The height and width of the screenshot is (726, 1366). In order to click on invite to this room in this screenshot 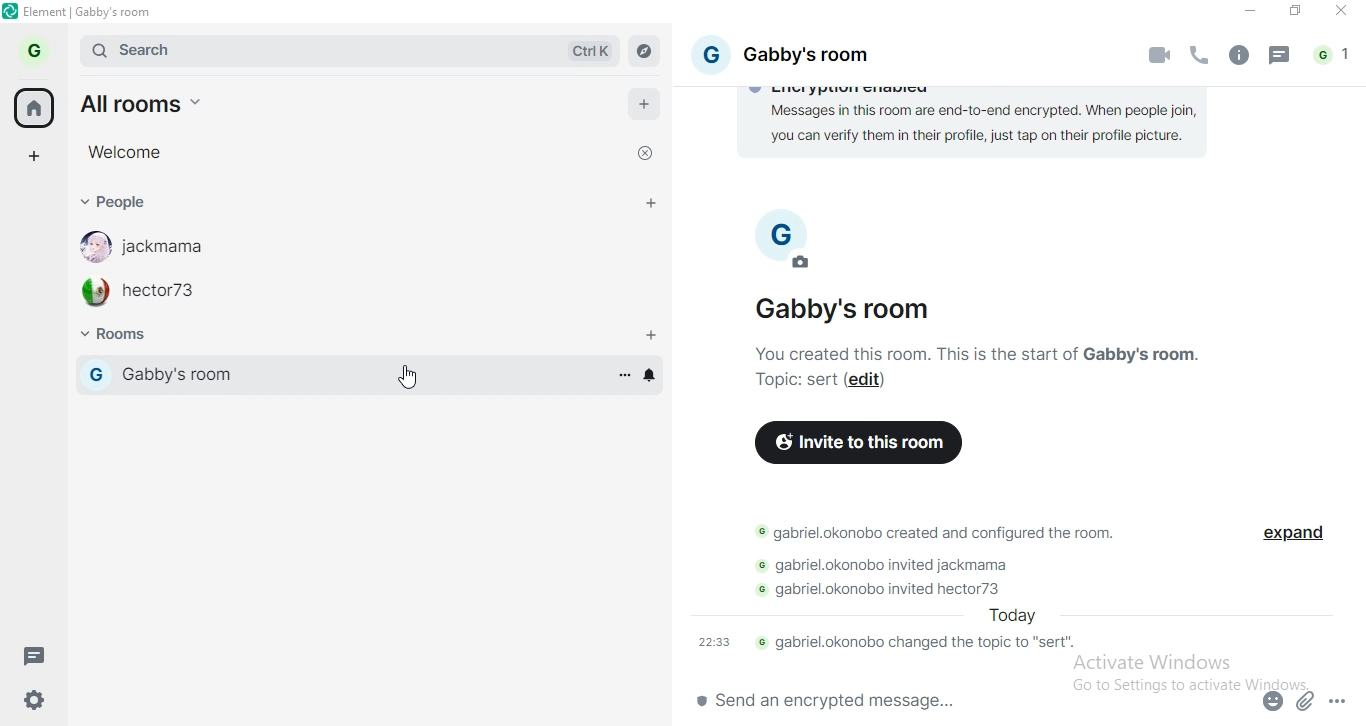, I will do `click(858, 442)`.